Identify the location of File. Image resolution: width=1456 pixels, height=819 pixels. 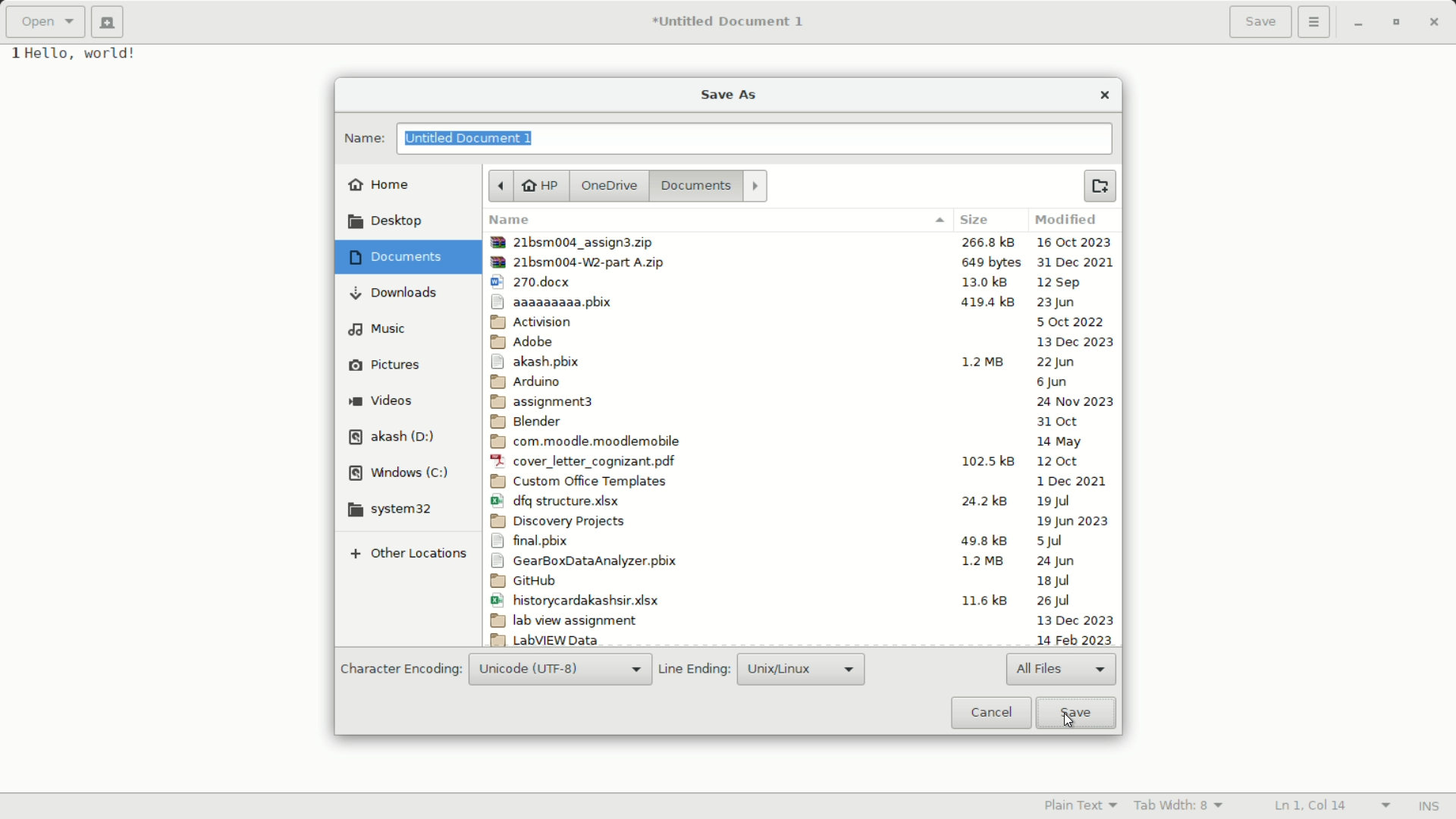
(798, 620).